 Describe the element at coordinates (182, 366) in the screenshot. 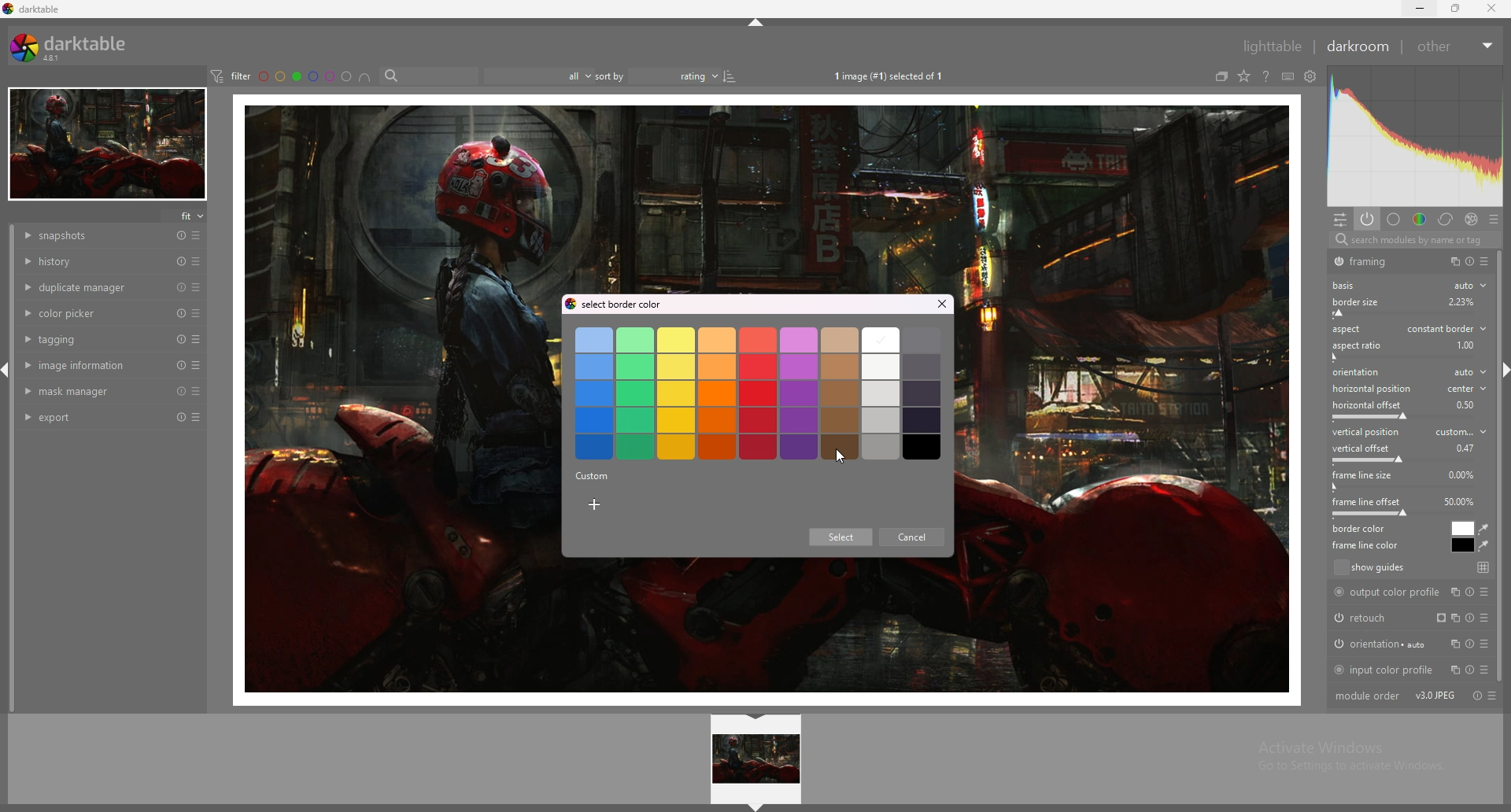

I see `reset` at that location.